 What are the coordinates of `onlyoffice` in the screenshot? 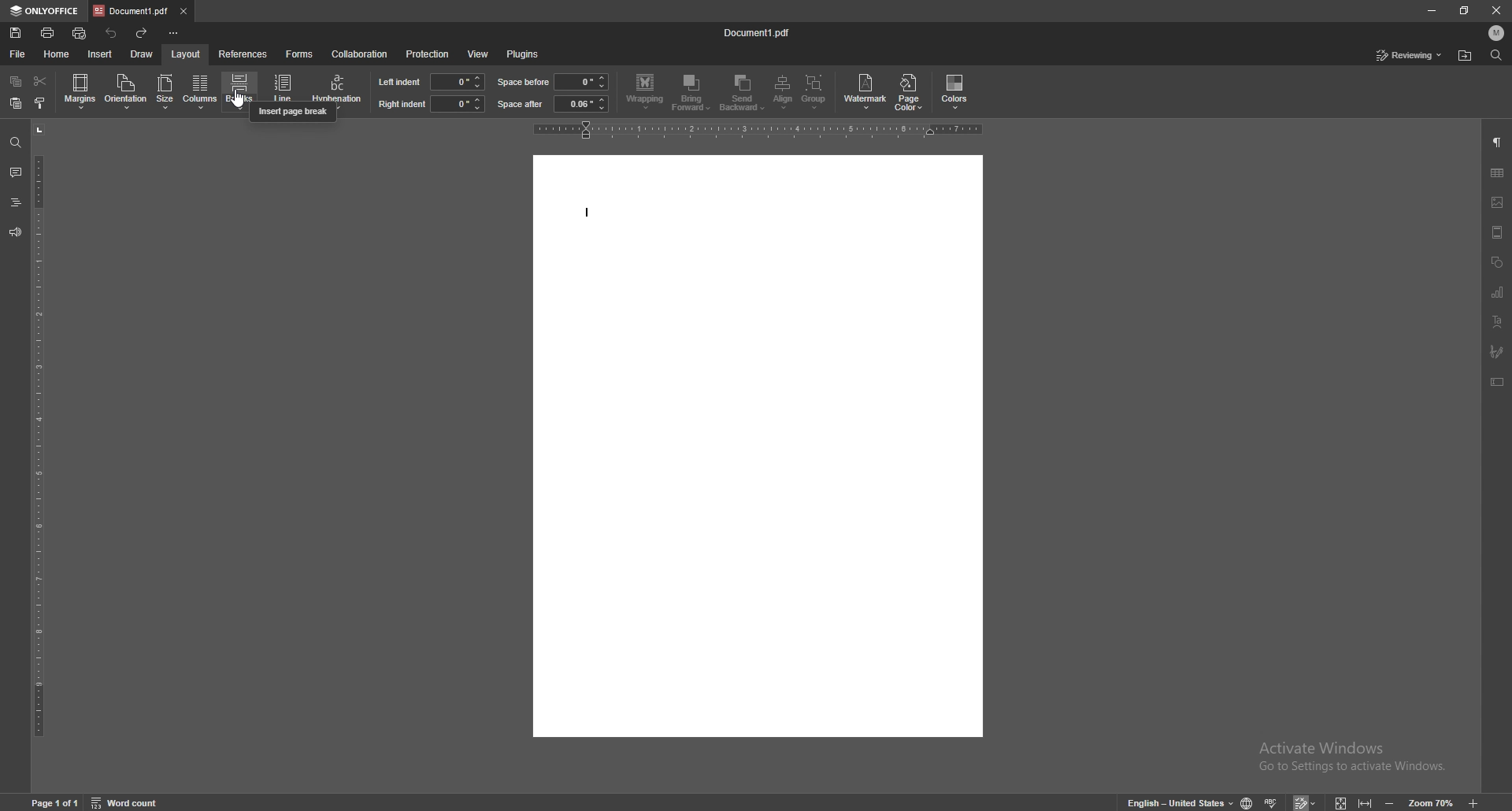 It's located at (43, 10).